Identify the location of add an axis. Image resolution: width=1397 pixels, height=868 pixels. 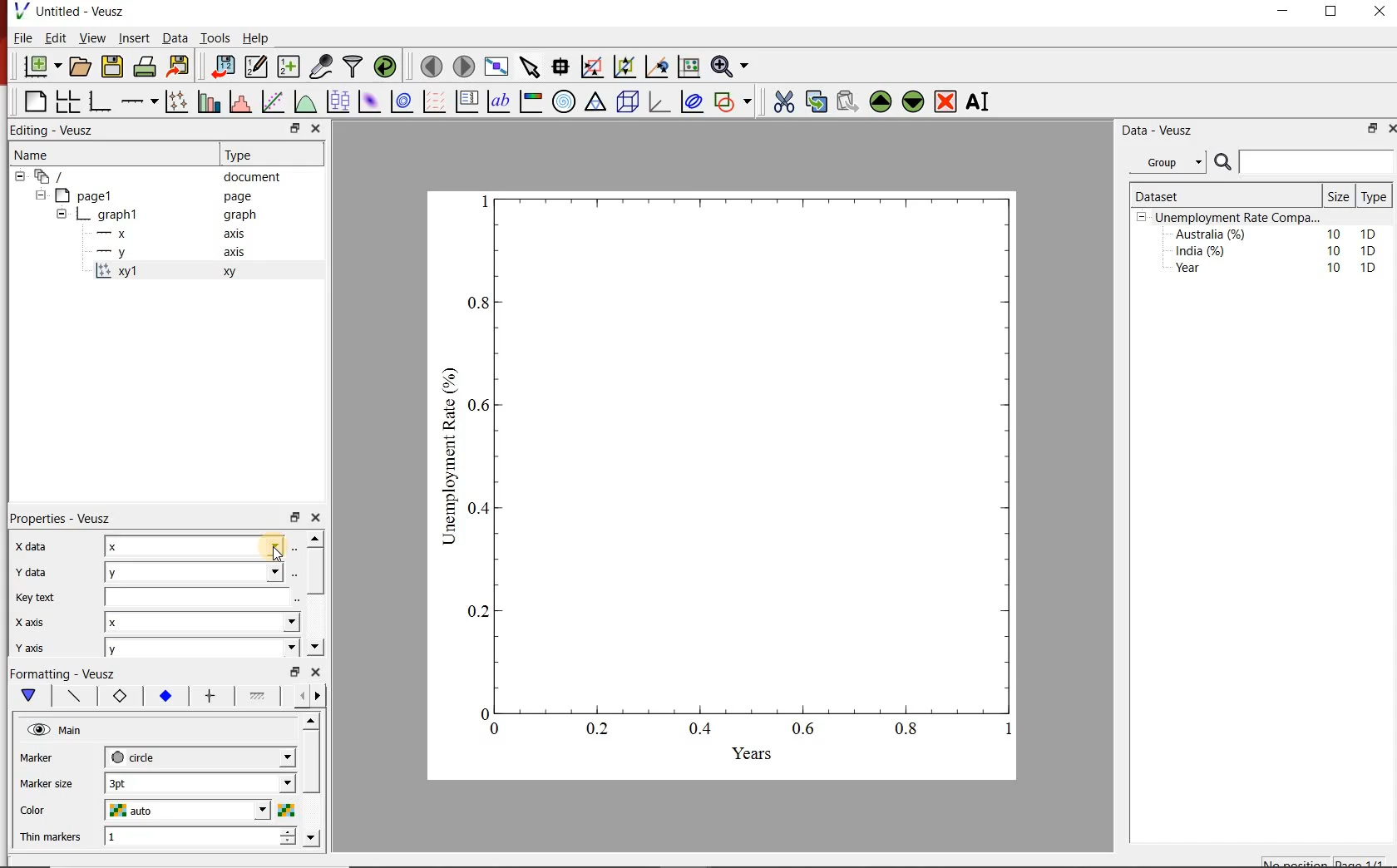
(138, 101).